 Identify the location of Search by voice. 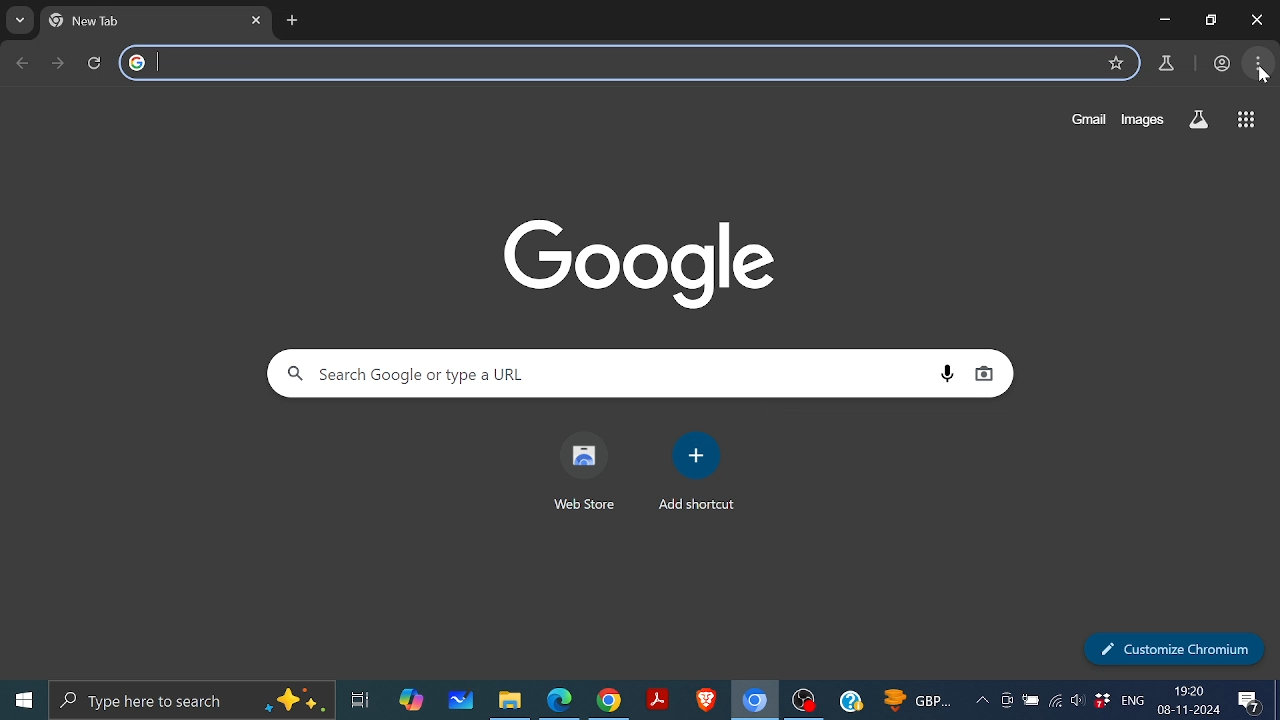
(948, 375).